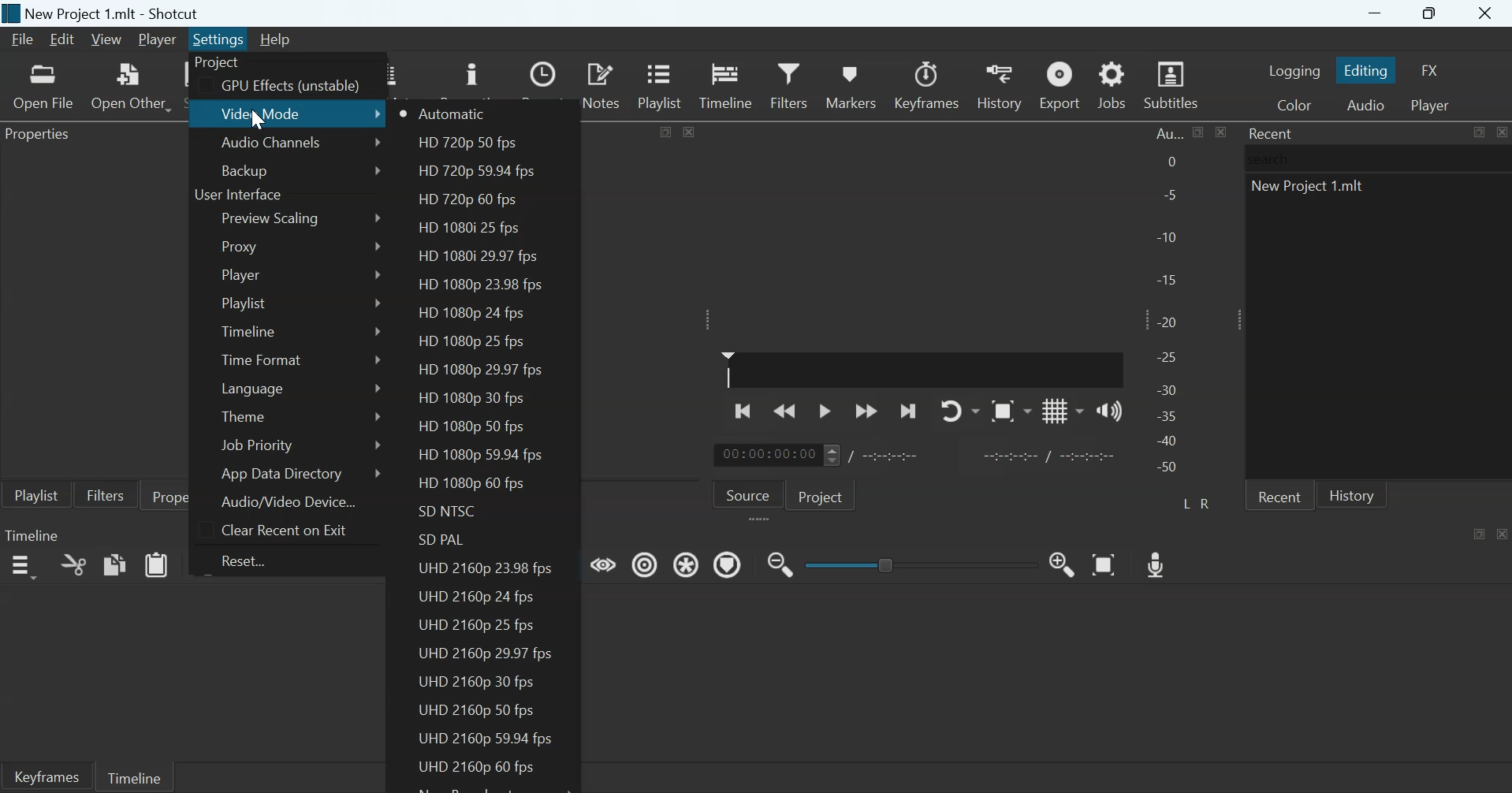 This screenshot has width=1512, height=793. What do you see at coordinates (242, 246) in the screenshot?
I see `Proxy` at bounding box center [242, 246].